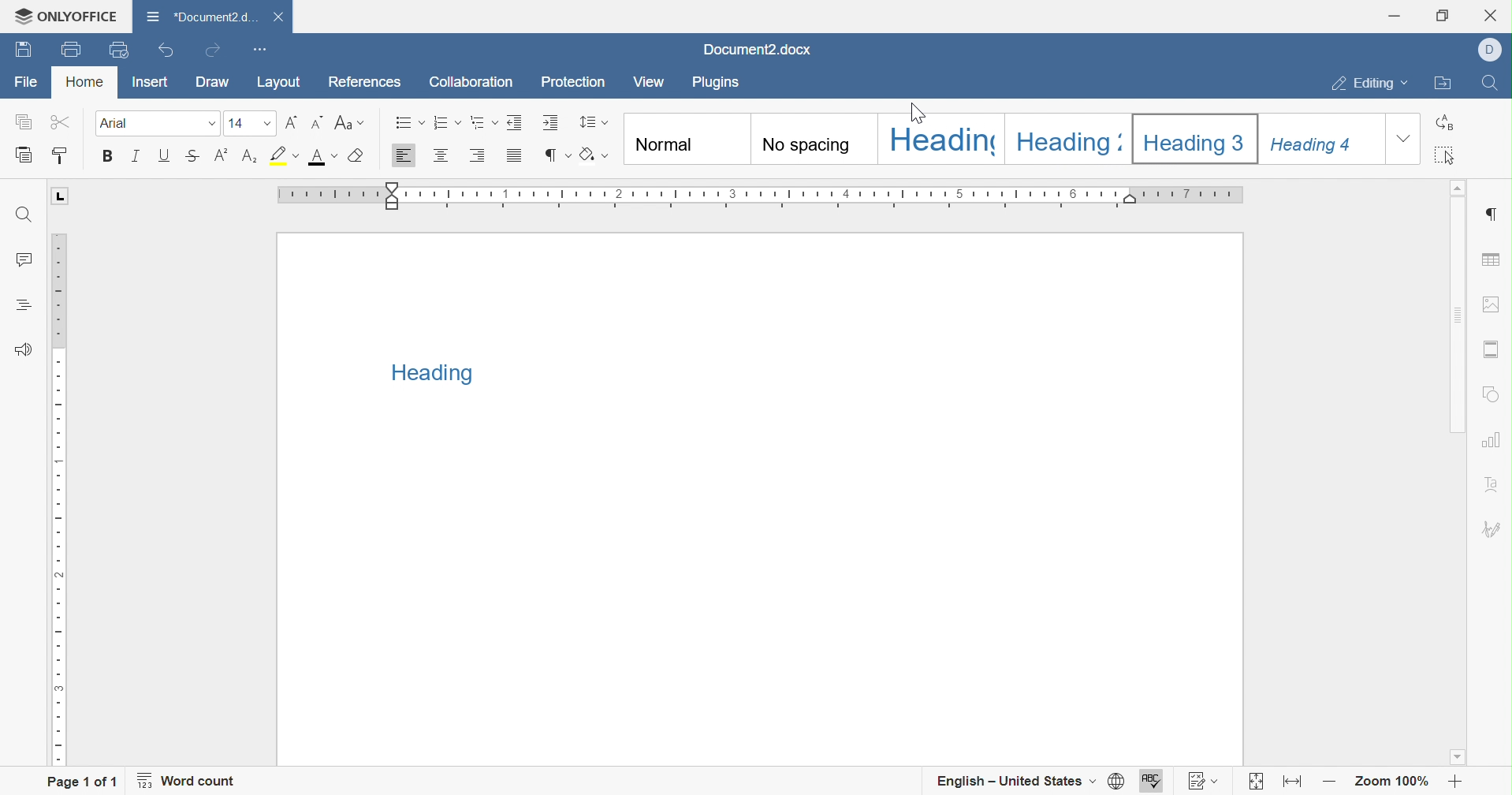 The image size is (1512, 795). What do you see at coordinates (28, 83) in the screenshot?
I see `File` at bounding box center [28, 83].